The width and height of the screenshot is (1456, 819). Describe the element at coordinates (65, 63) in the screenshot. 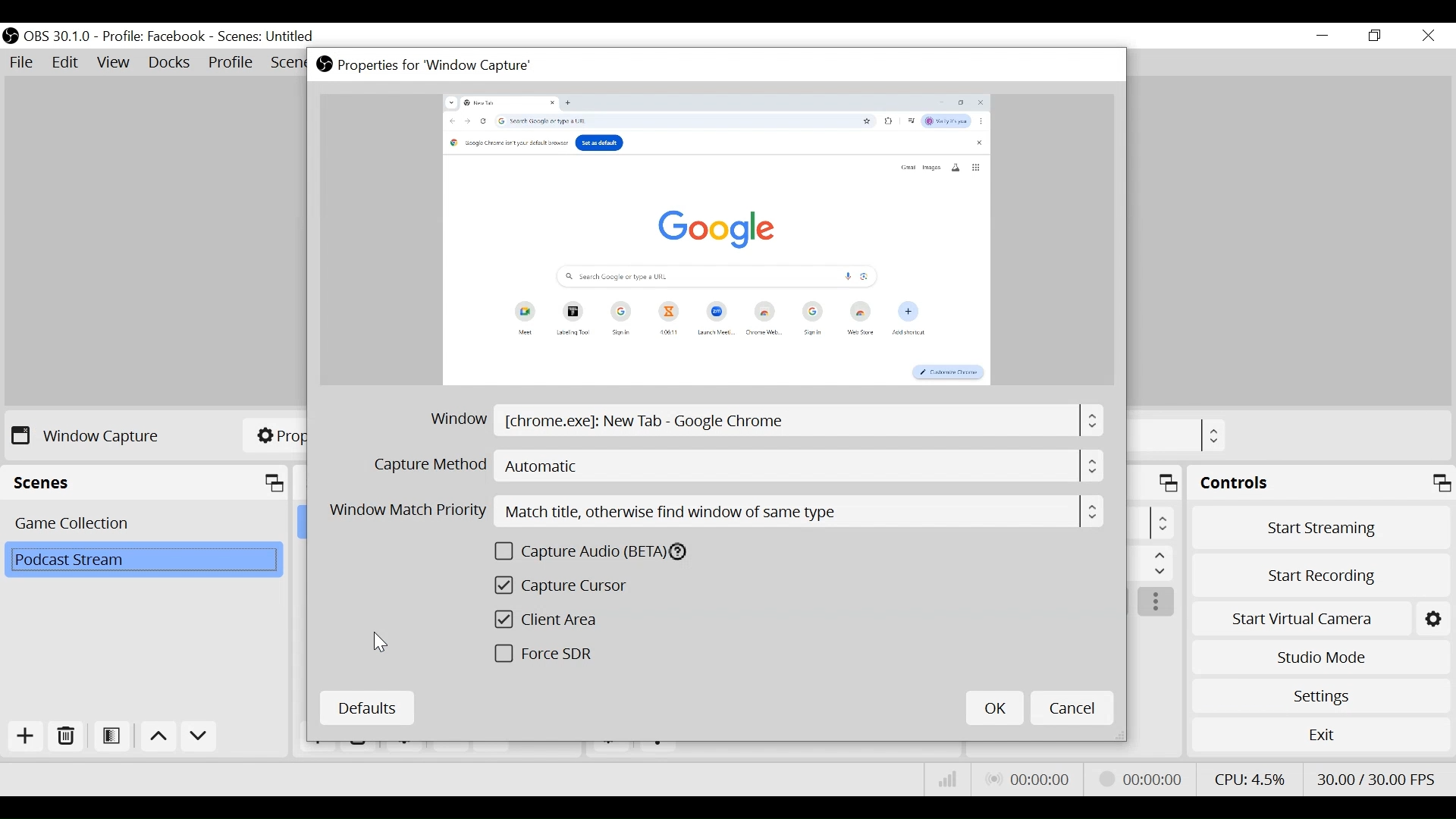

I see `Edit` at that location.